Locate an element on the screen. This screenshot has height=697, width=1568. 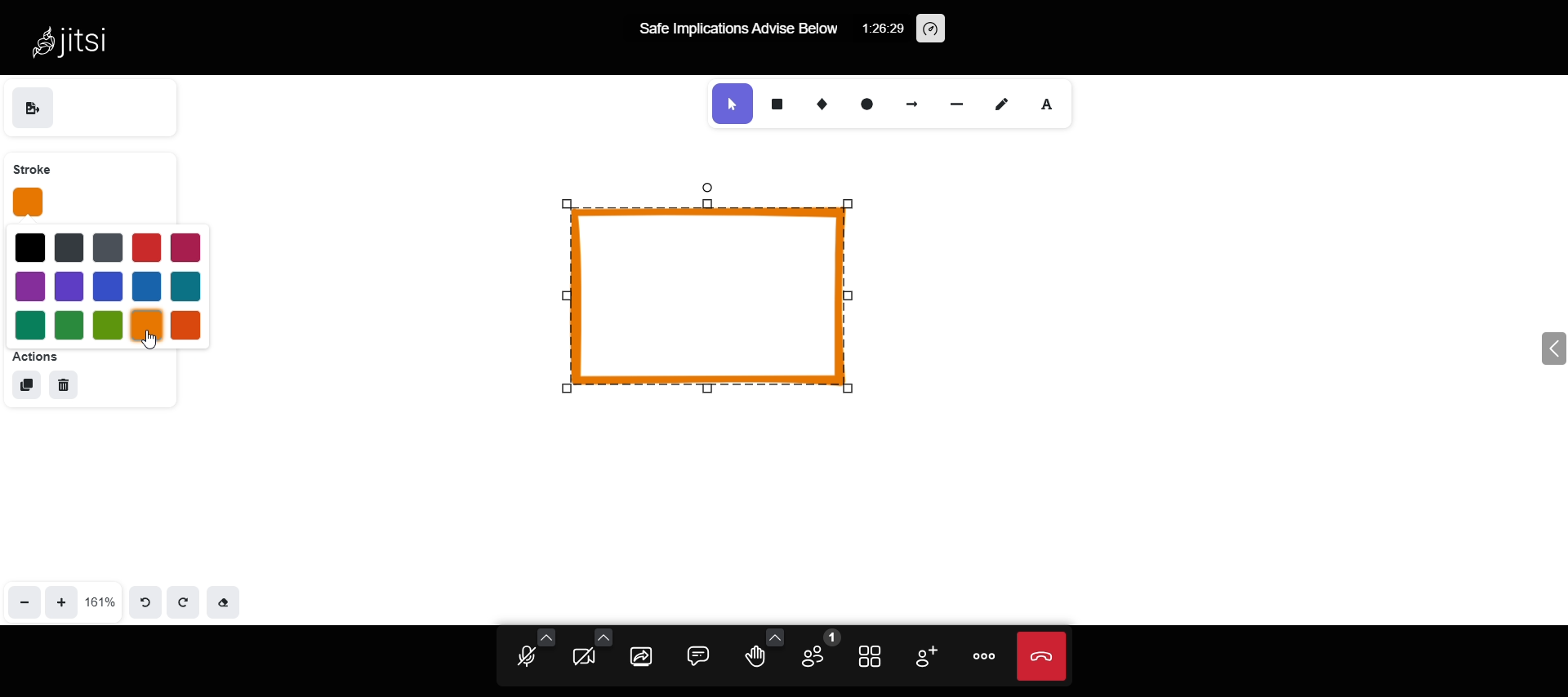
Eraser is located at coordinates (229, 600).